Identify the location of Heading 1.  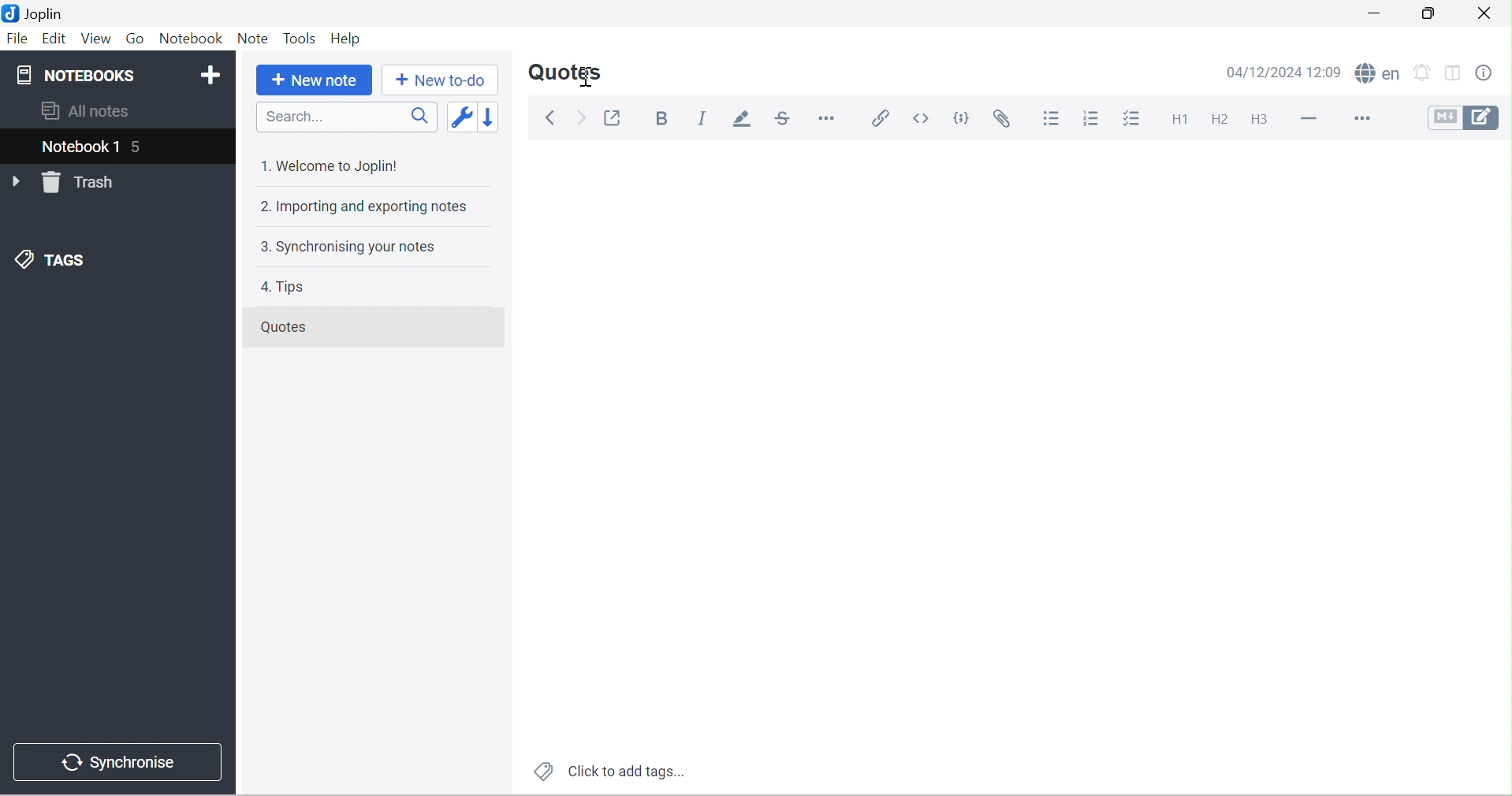
(1178, 122).